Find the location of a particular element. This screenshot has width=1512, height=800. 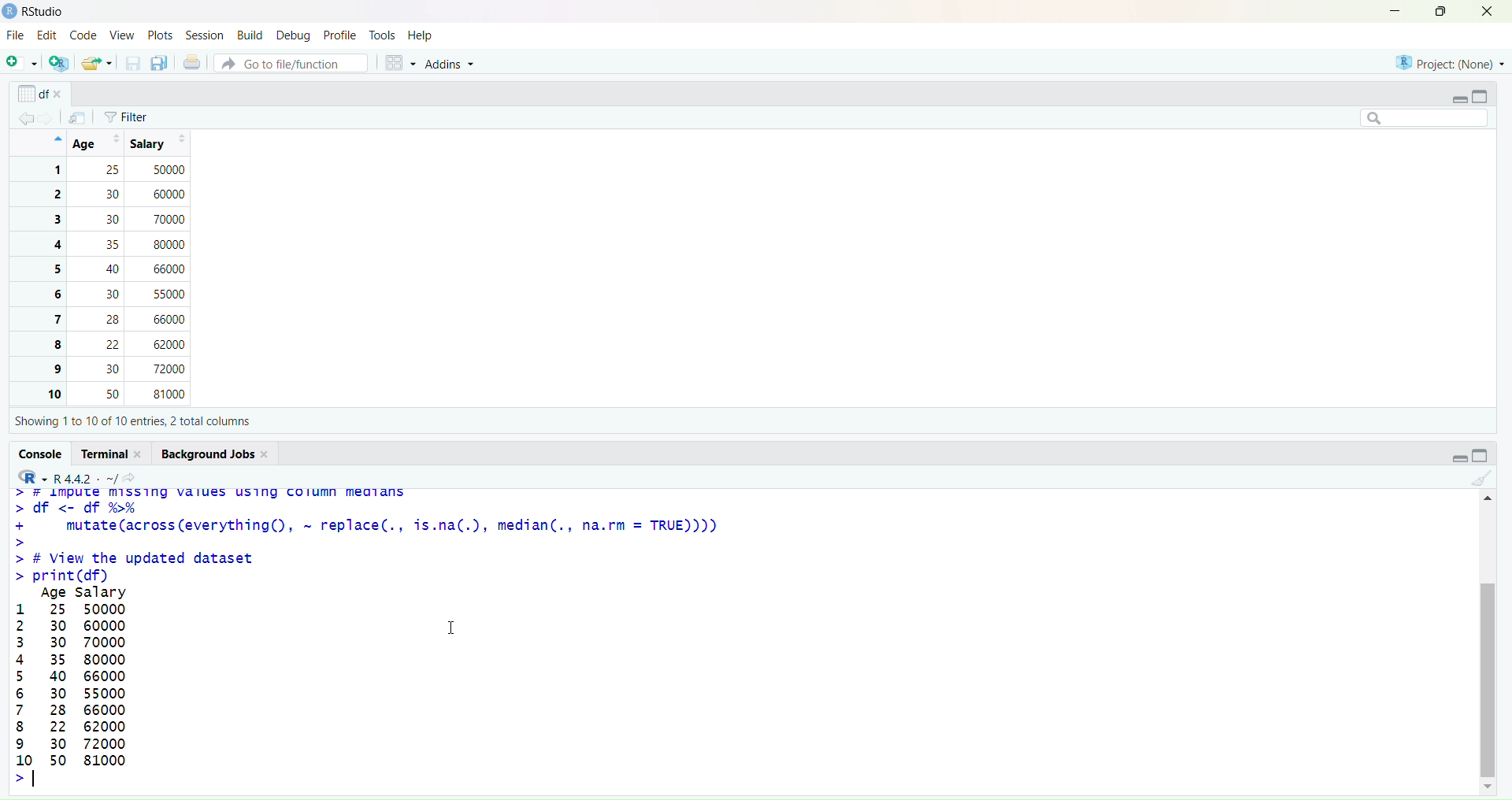

scrollbar is located at coordinates (1490, 642).